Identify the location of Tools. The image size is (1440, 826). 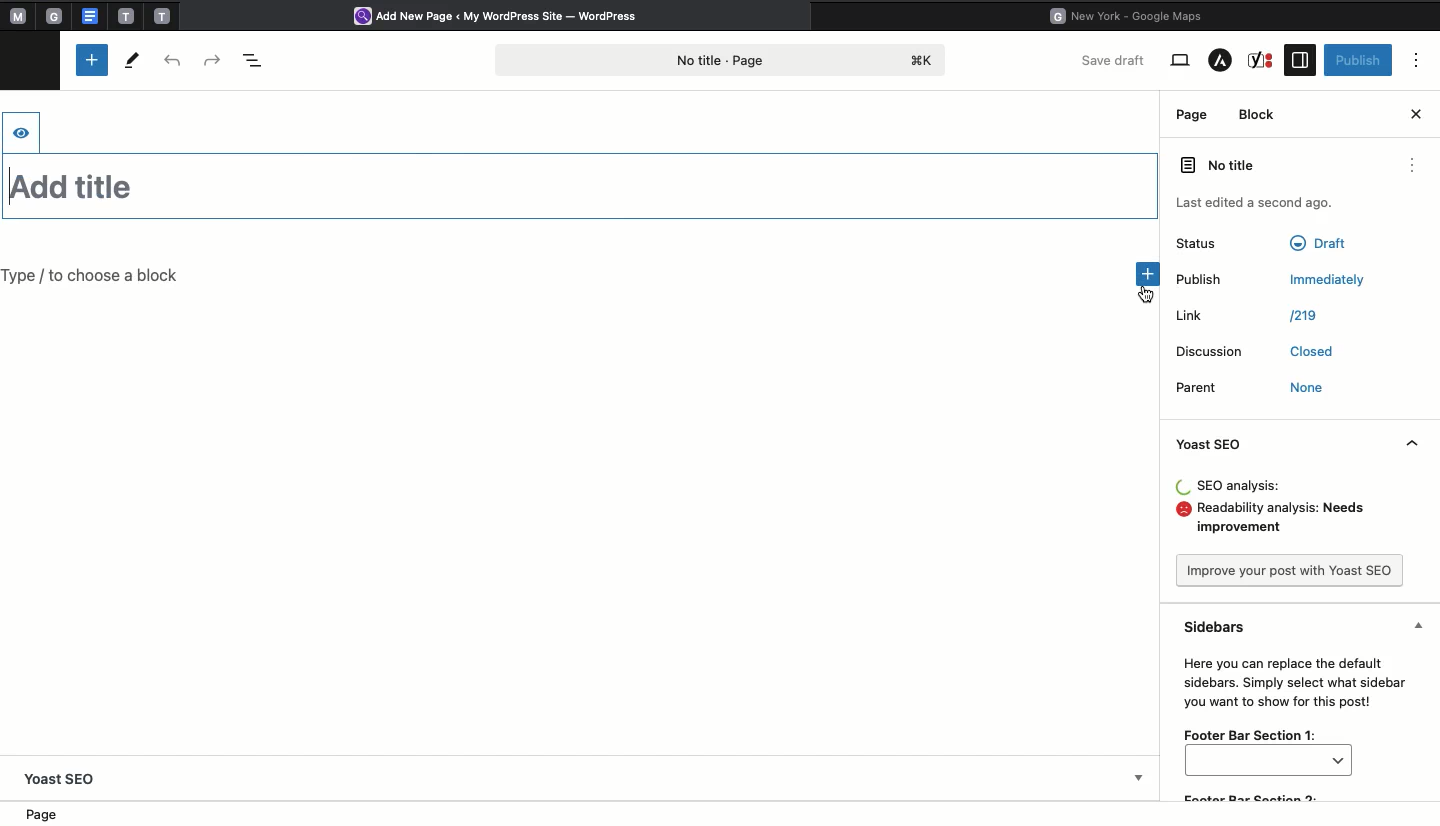
(131, 60).